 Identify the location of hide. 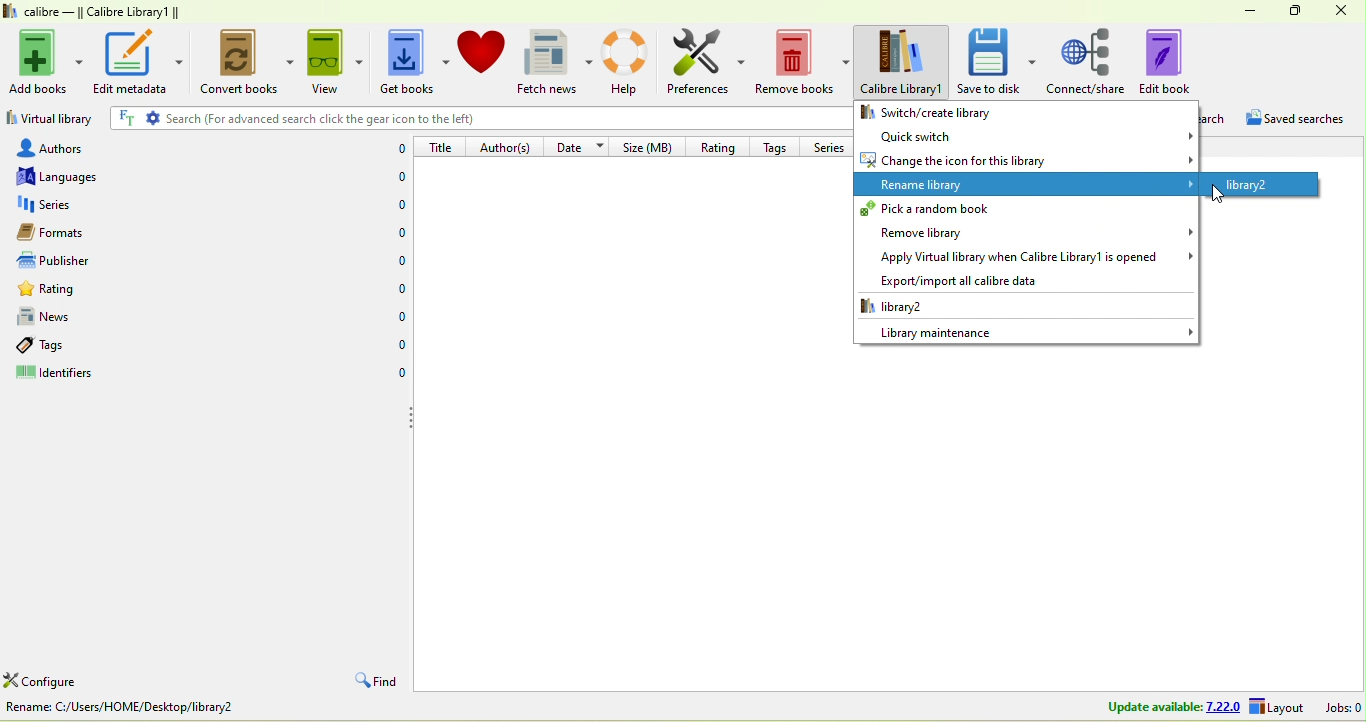
(407, 417).